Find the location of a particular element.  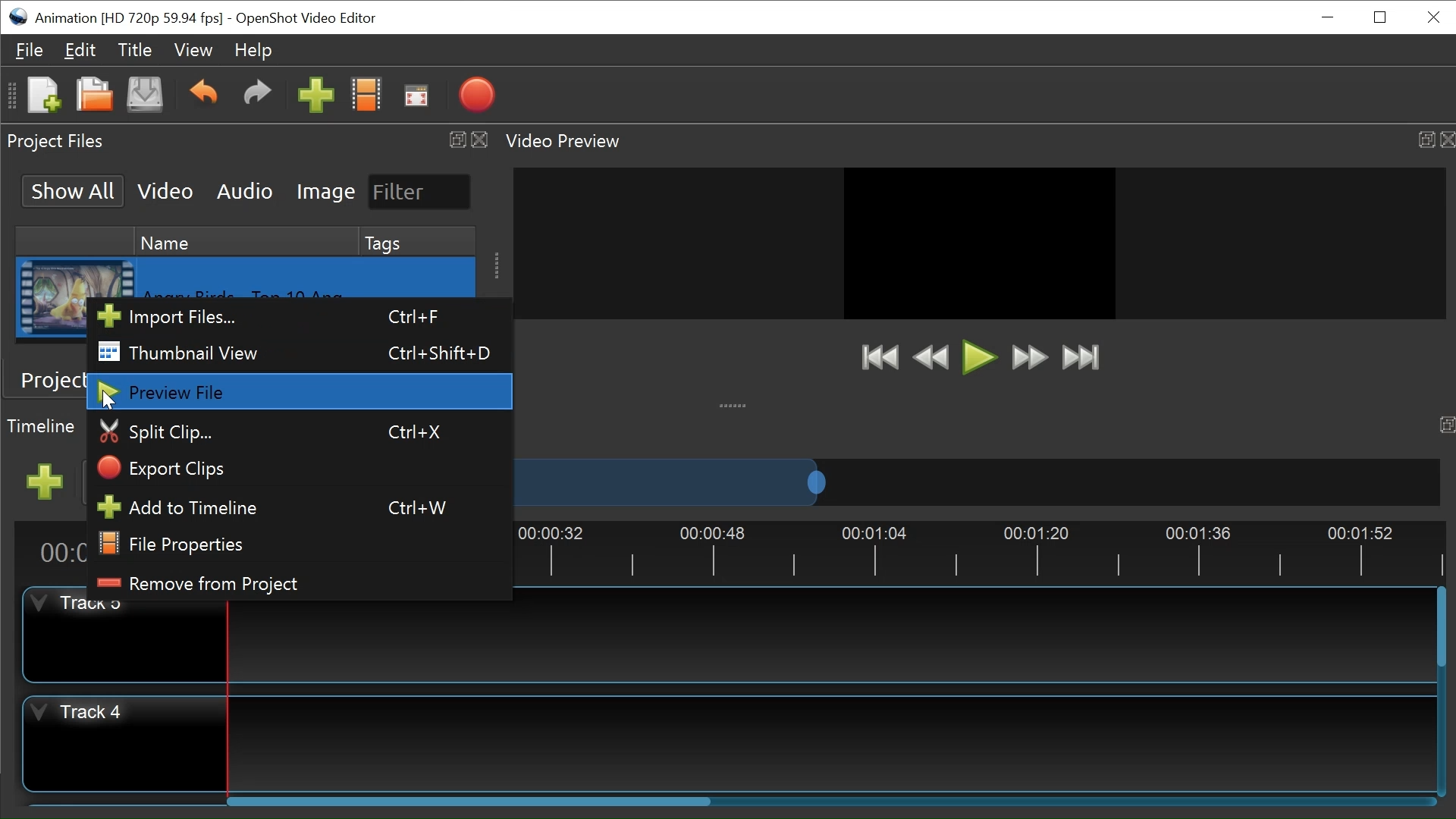

Audio is located at coordinates (244, 192).